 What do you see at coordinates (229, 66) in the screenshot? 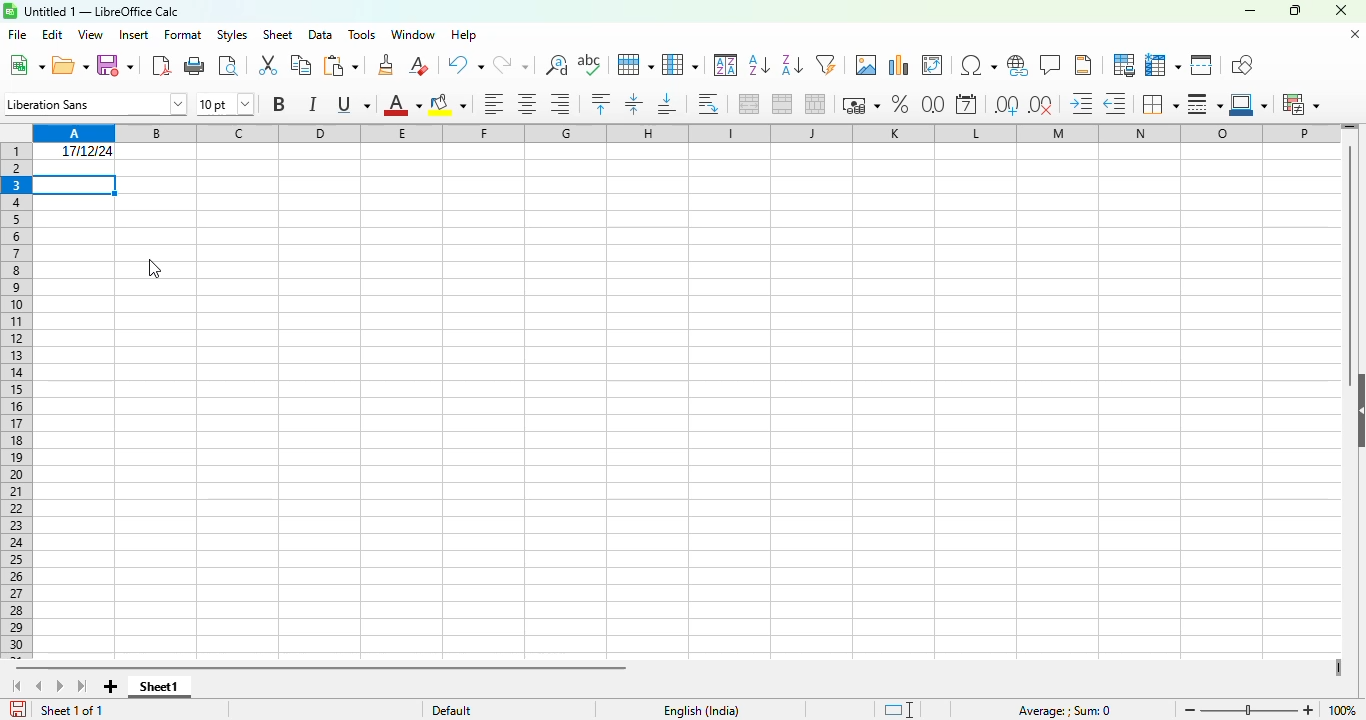
I see `toggle print preview` at bounding box center [229, 66].